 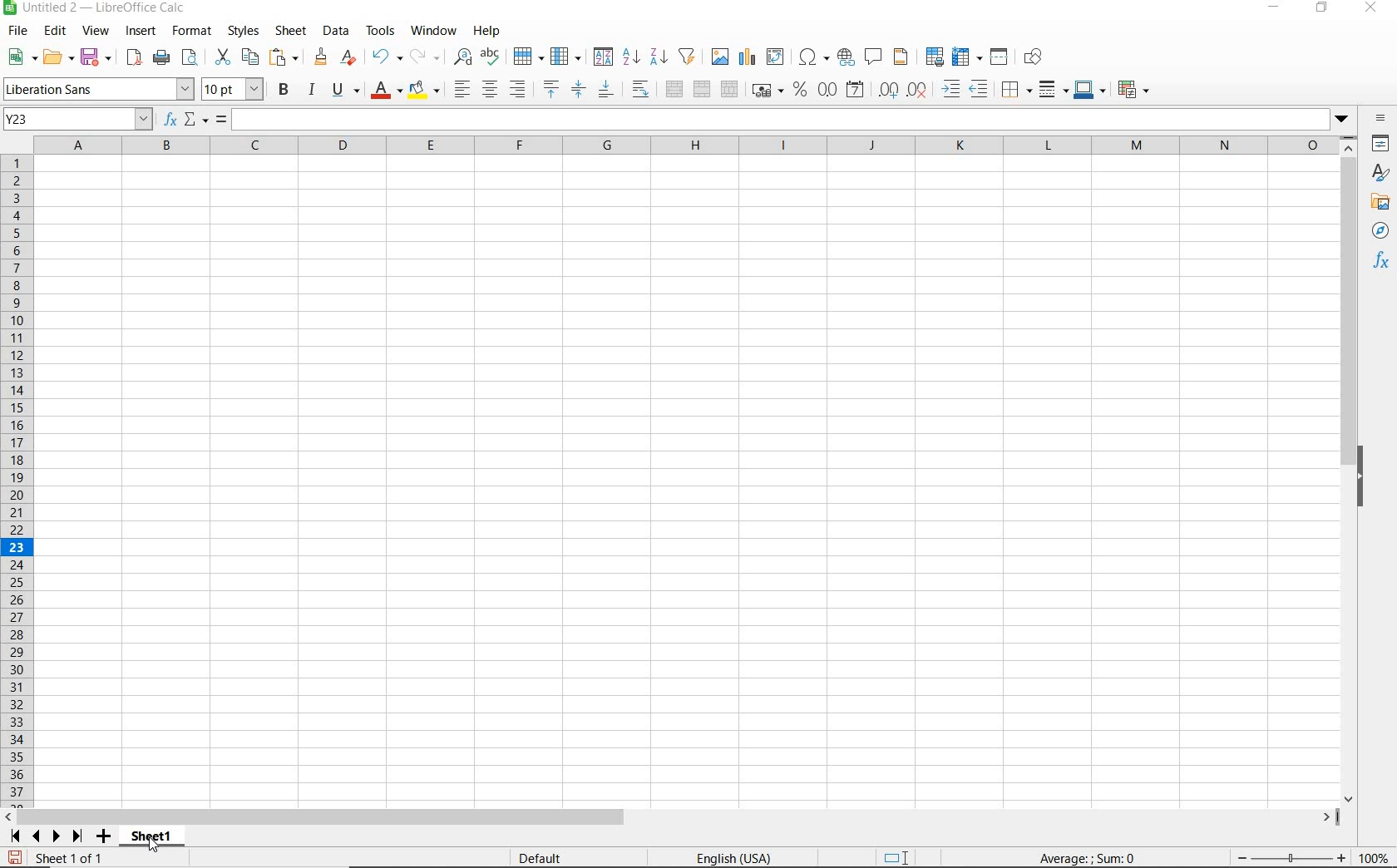 I want to click on COLUMNS, so click(x=689, y=145).